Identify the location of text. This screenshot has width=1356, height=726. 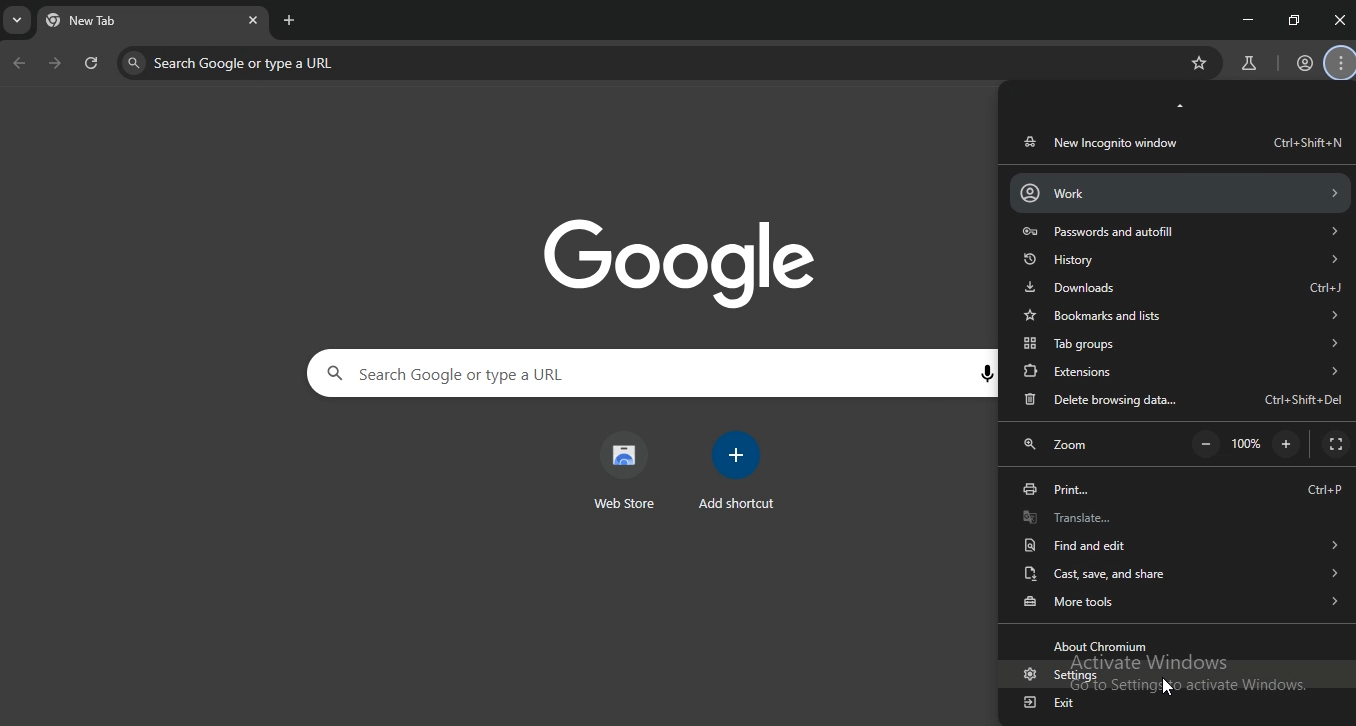
(1104, 646).